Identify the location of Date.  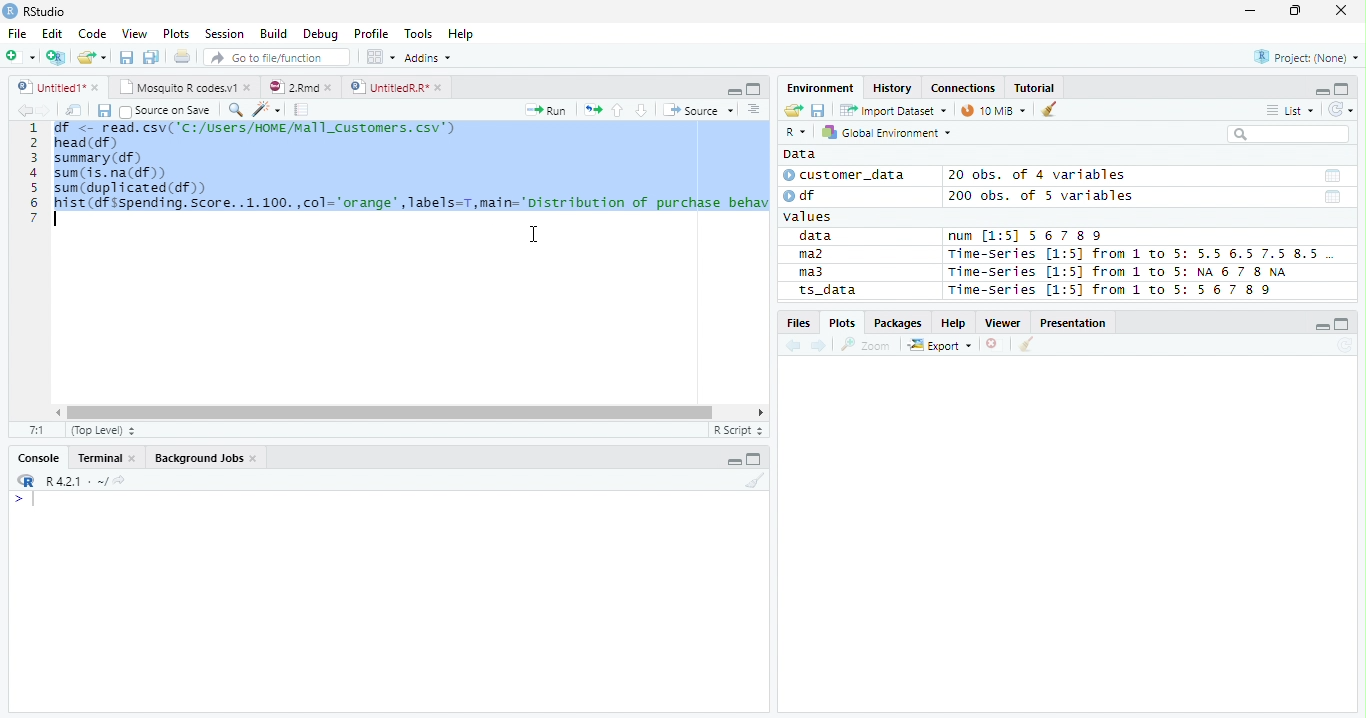
(1333, 198).